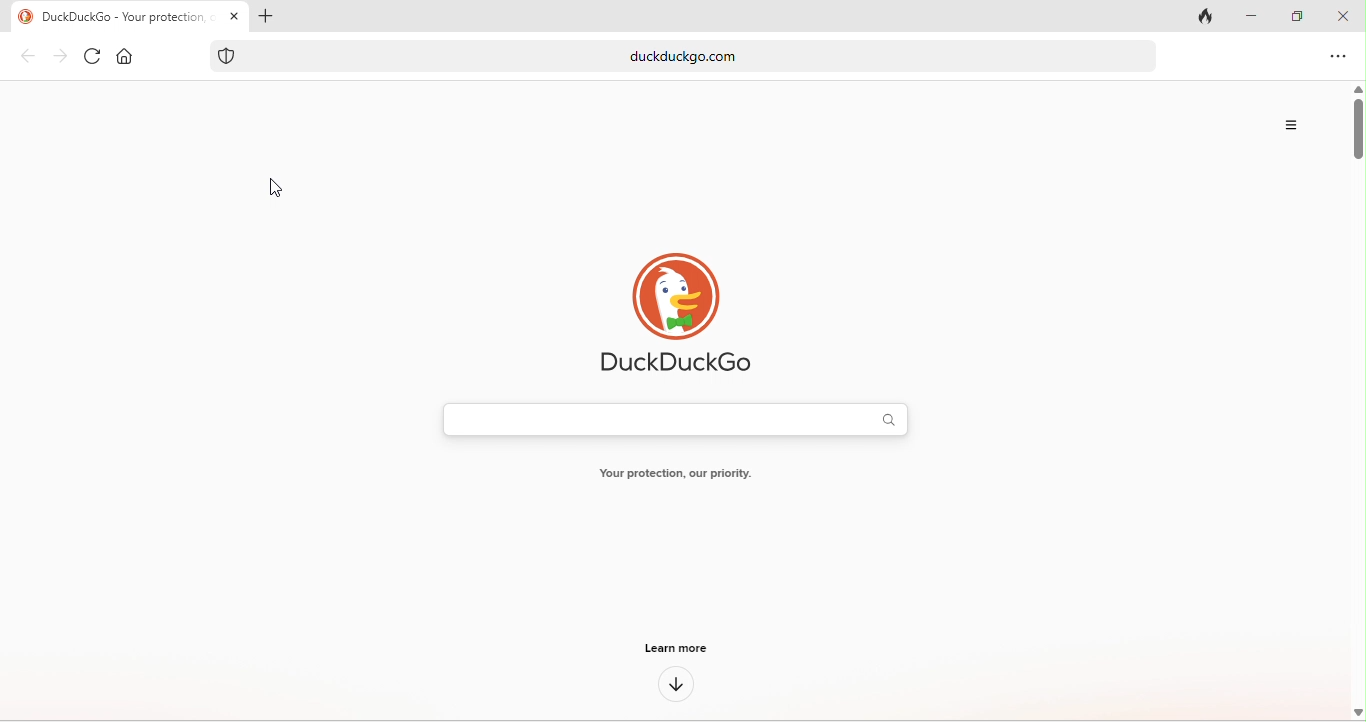  What do you see at coordinates (675, 363) in the screenshot?
I see `duckduck go` at bounding box center [675, 363].